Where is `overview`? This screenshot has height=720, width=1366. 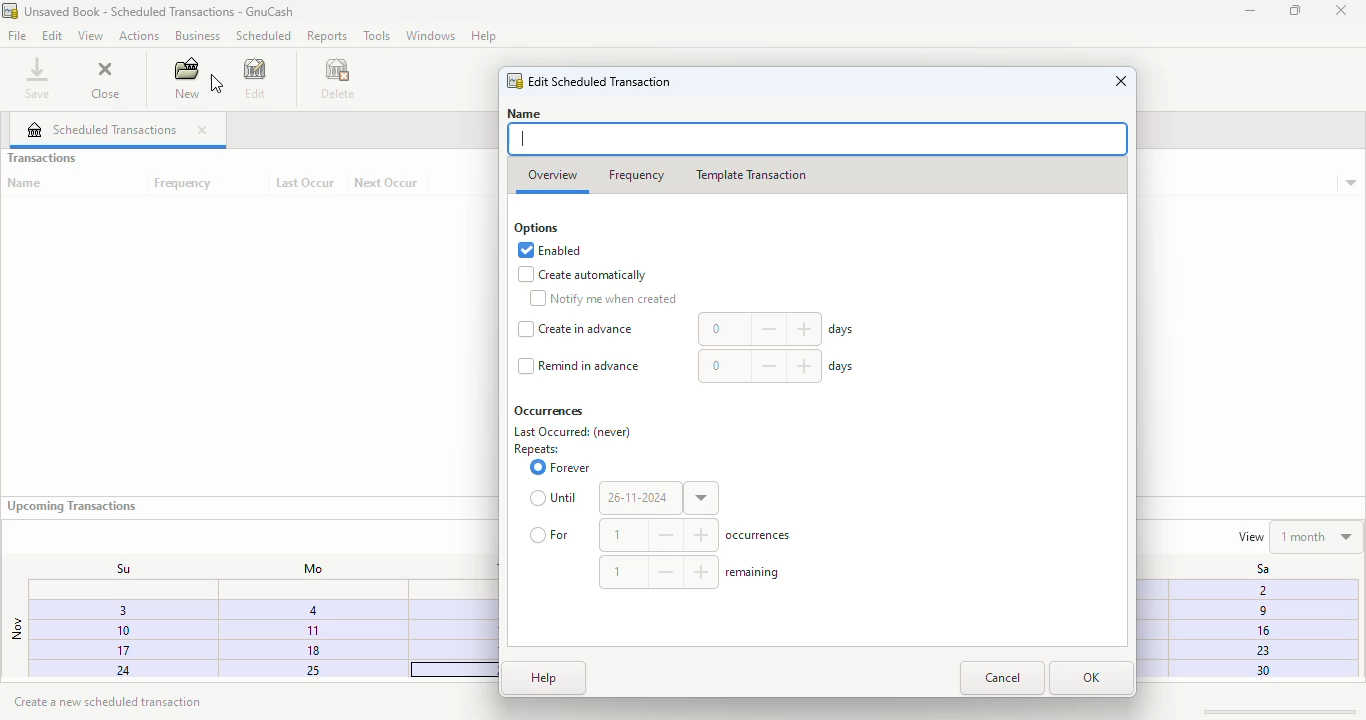
overview is located at coordinates (553, 176).